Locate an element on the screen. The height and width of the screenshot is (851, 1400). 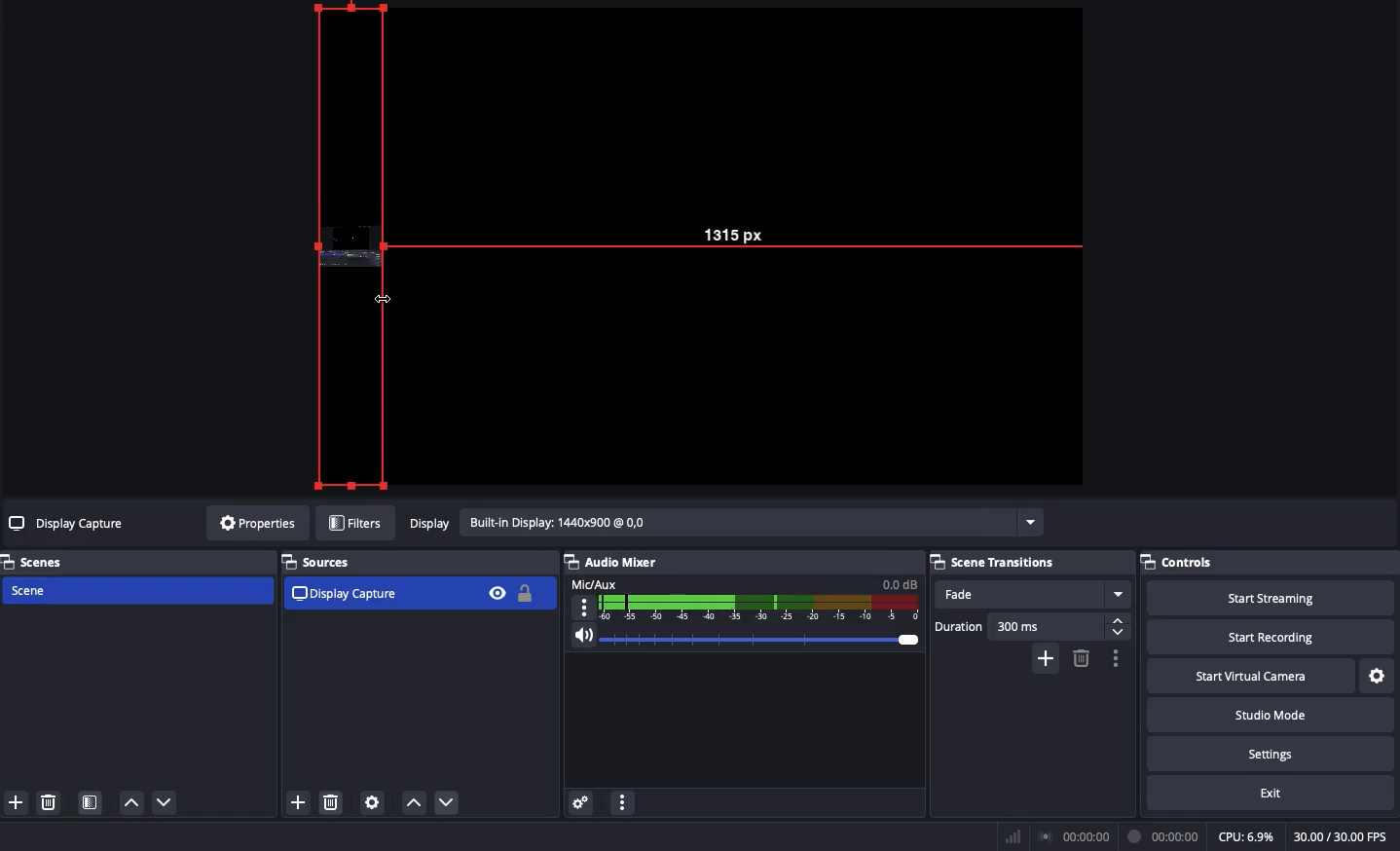
Add is located at coordinates (297, 804).